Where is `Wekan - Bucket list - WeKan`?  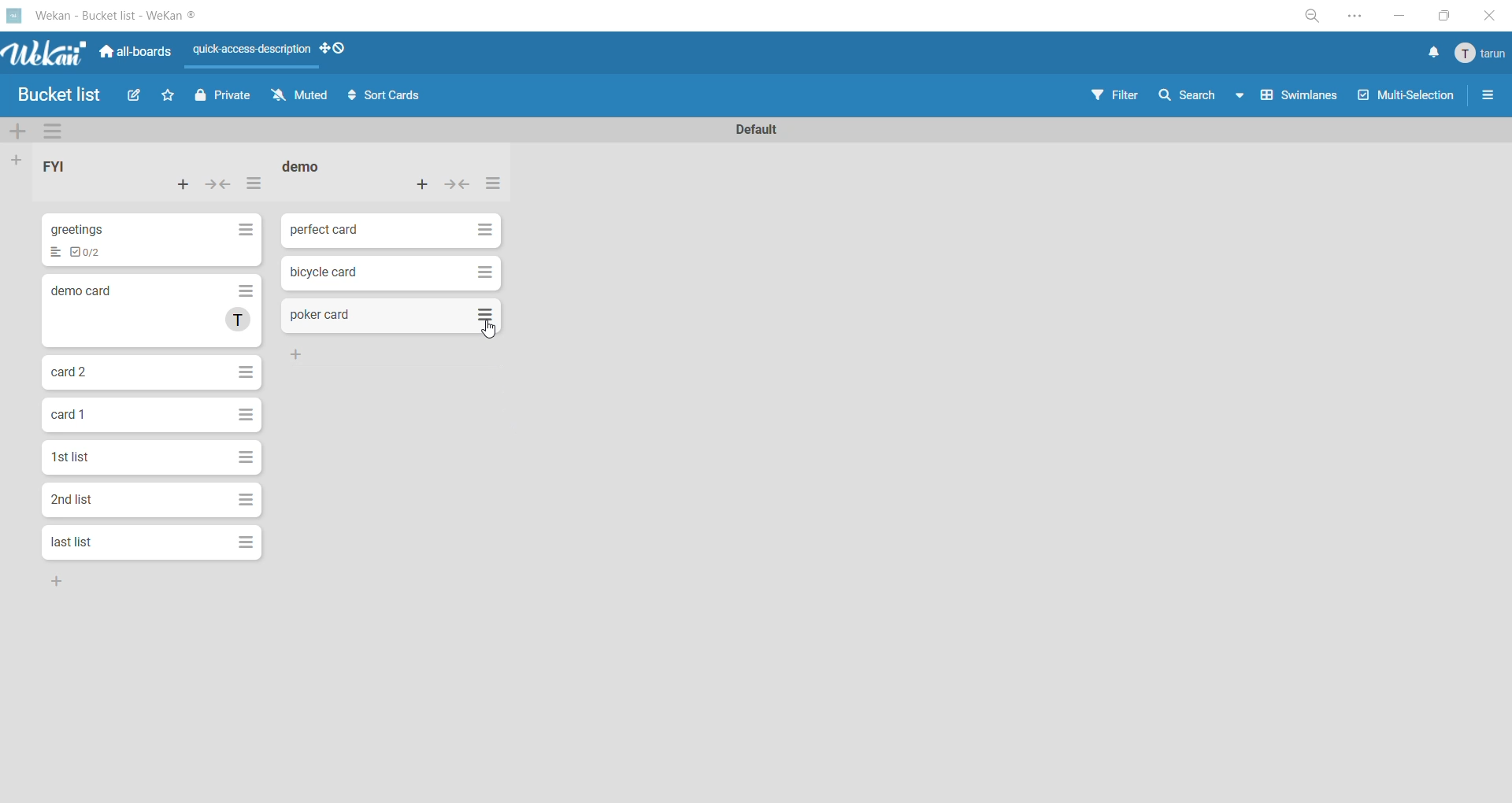
Wekan - Bucket list - WeKan is located at coordinates (108, 16).